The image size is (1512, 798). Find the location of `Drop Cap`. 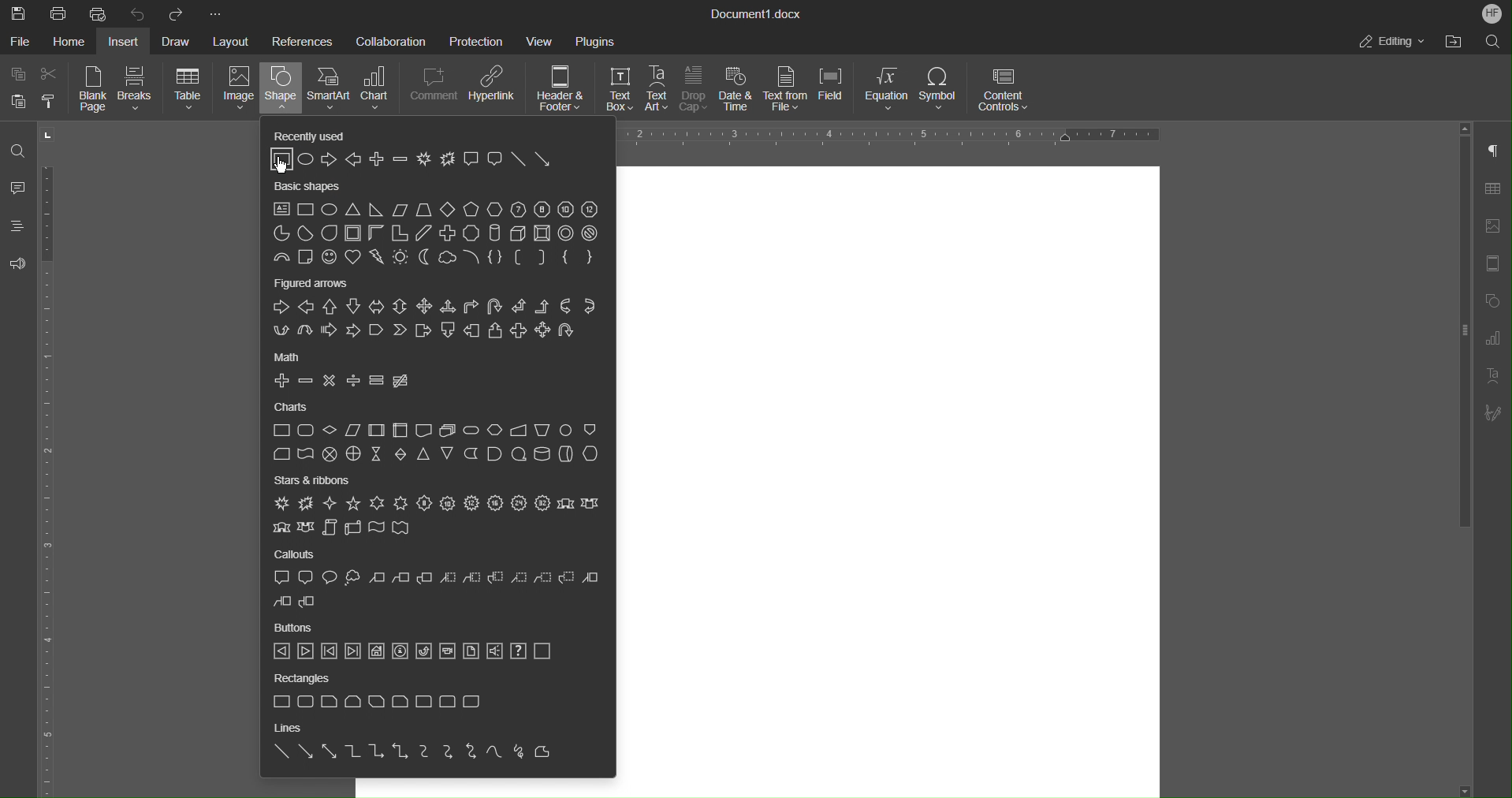

Drop Cap is located at coordinates (695, 91).